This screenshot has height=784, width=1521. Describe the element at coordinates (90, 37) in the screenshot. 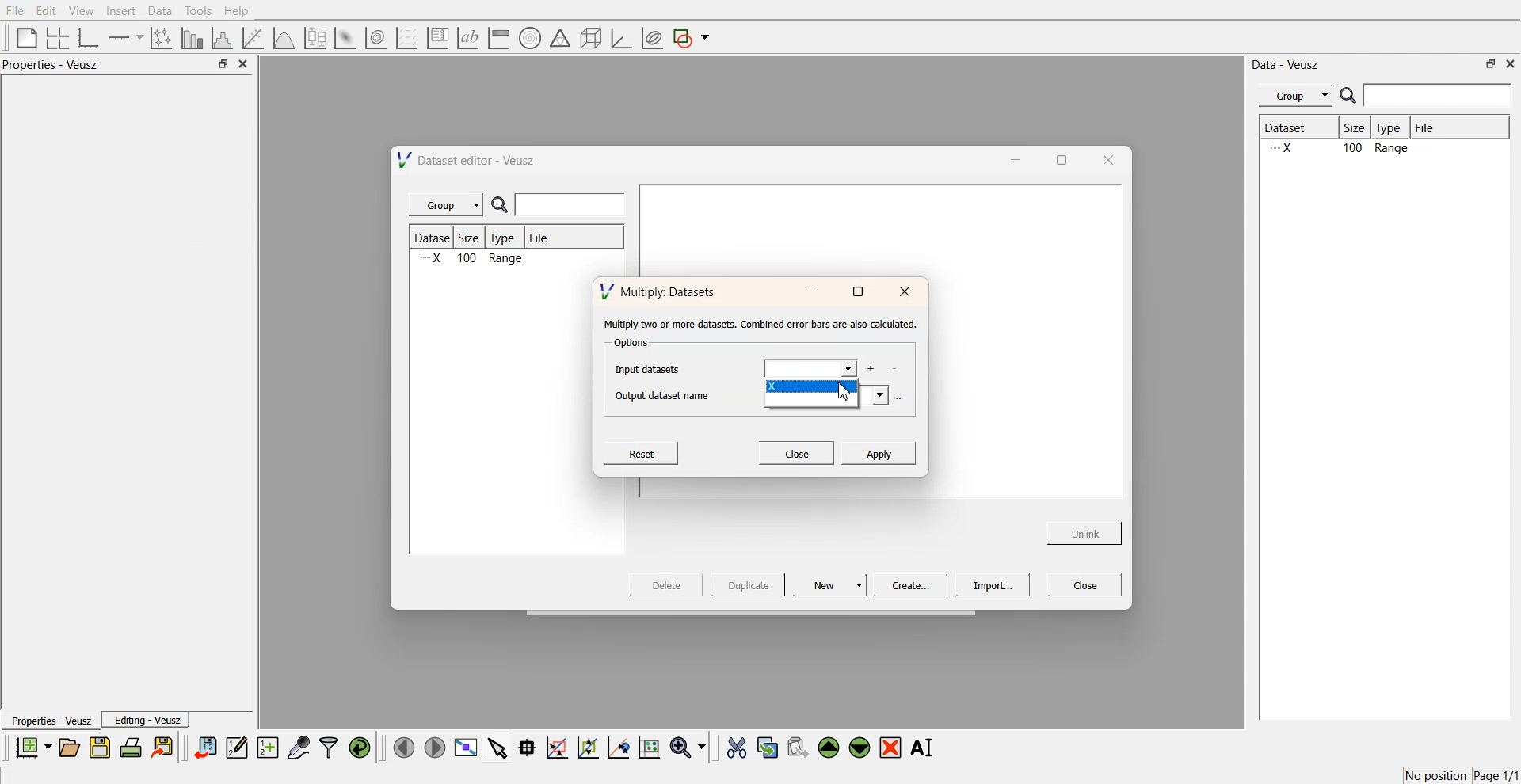

I see `base graphs` at that location.